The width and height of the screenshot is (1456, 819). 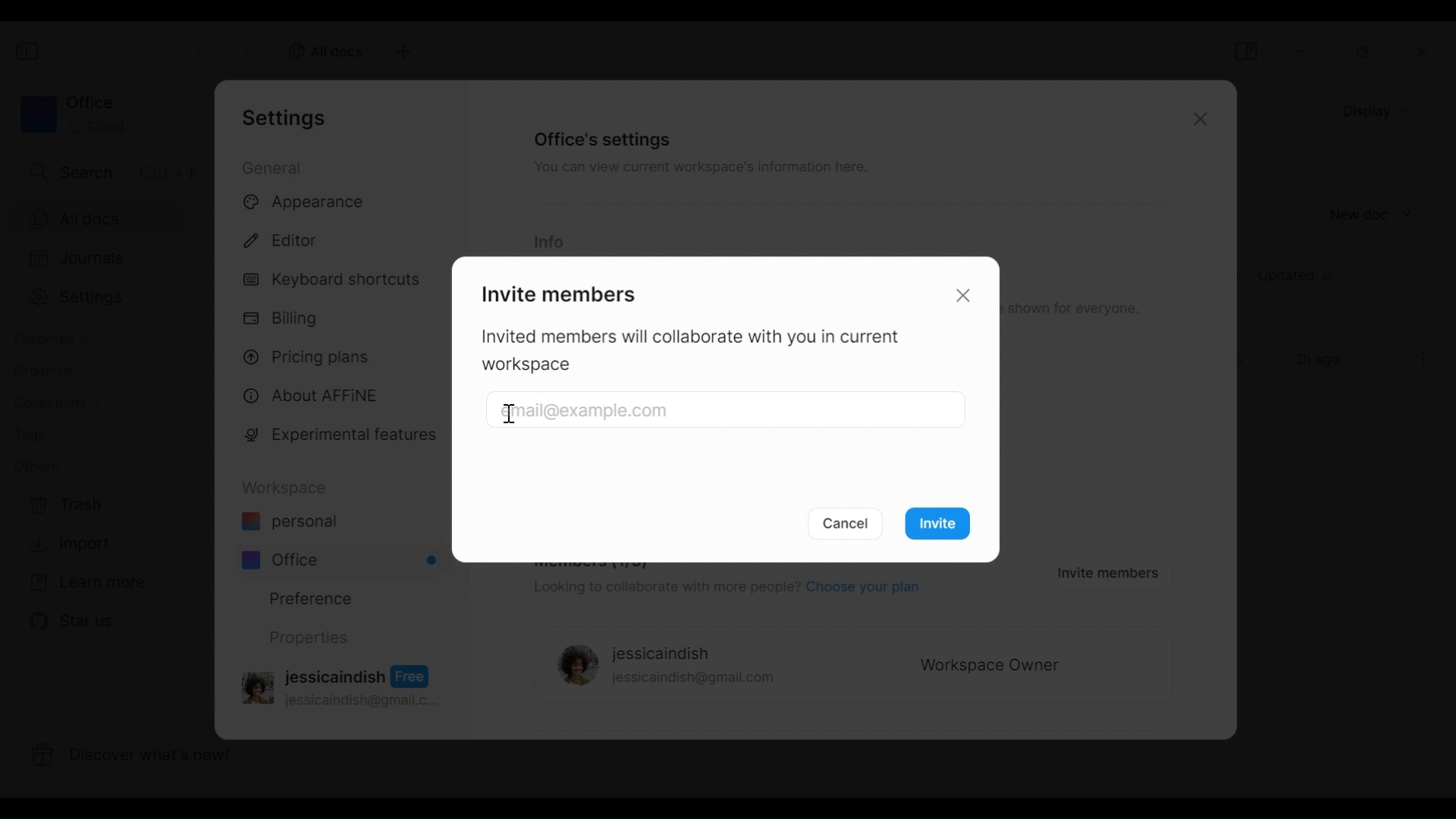 What do you see at coordinates (661, 654) in the screenshot?
I see `Jessicaindish` at bounding box center [661, 654].